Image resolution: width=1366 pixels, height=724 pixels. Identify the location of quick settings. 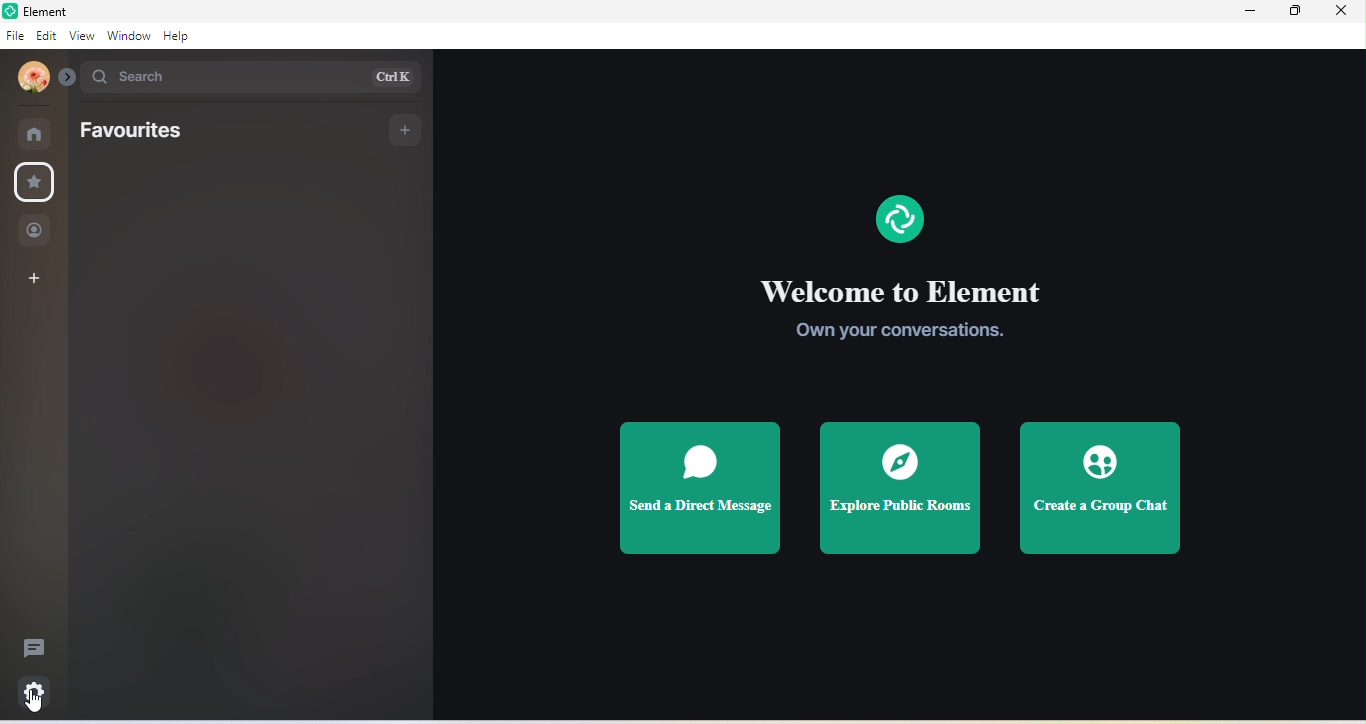
(38, 690).